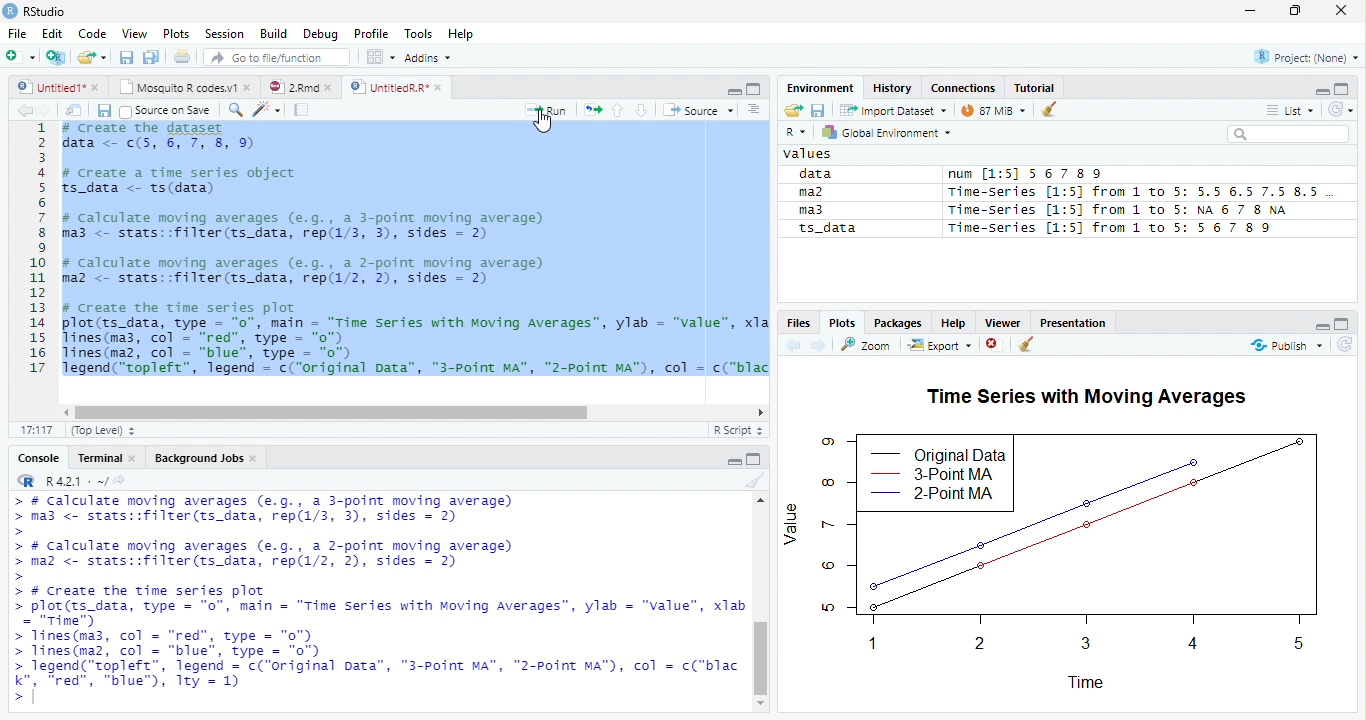 Image resolution: width=1366 pixels, height=720 pixels. Describe the element at coordinates (754, 89) in the screenshot. I see `maximize` at that location.